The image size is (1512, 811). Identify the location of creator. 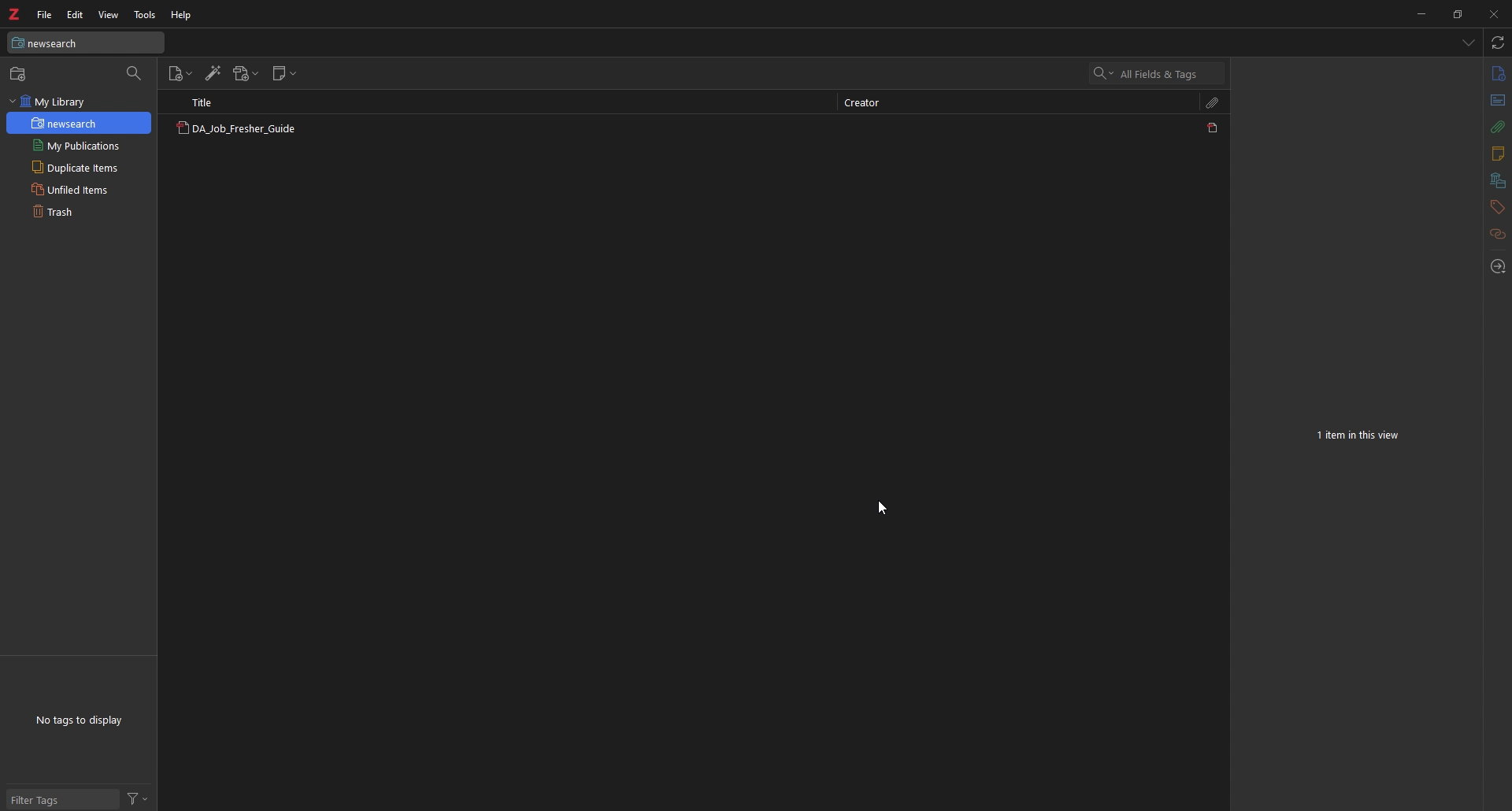
(868, 104).